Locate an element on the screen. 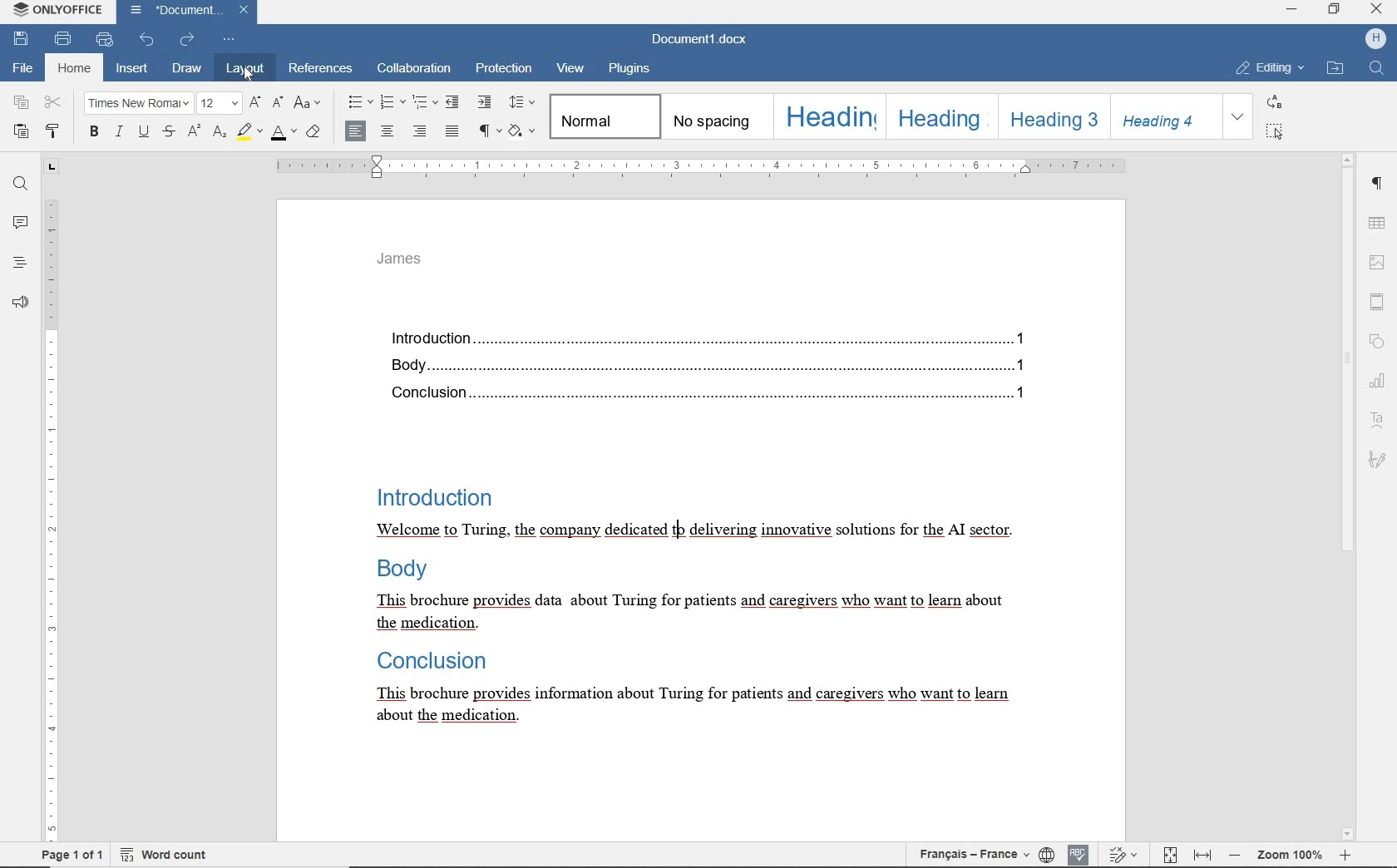 The height and width of the screenshot is (868, 1397). spell checking is located at coordinates (1078, 851).